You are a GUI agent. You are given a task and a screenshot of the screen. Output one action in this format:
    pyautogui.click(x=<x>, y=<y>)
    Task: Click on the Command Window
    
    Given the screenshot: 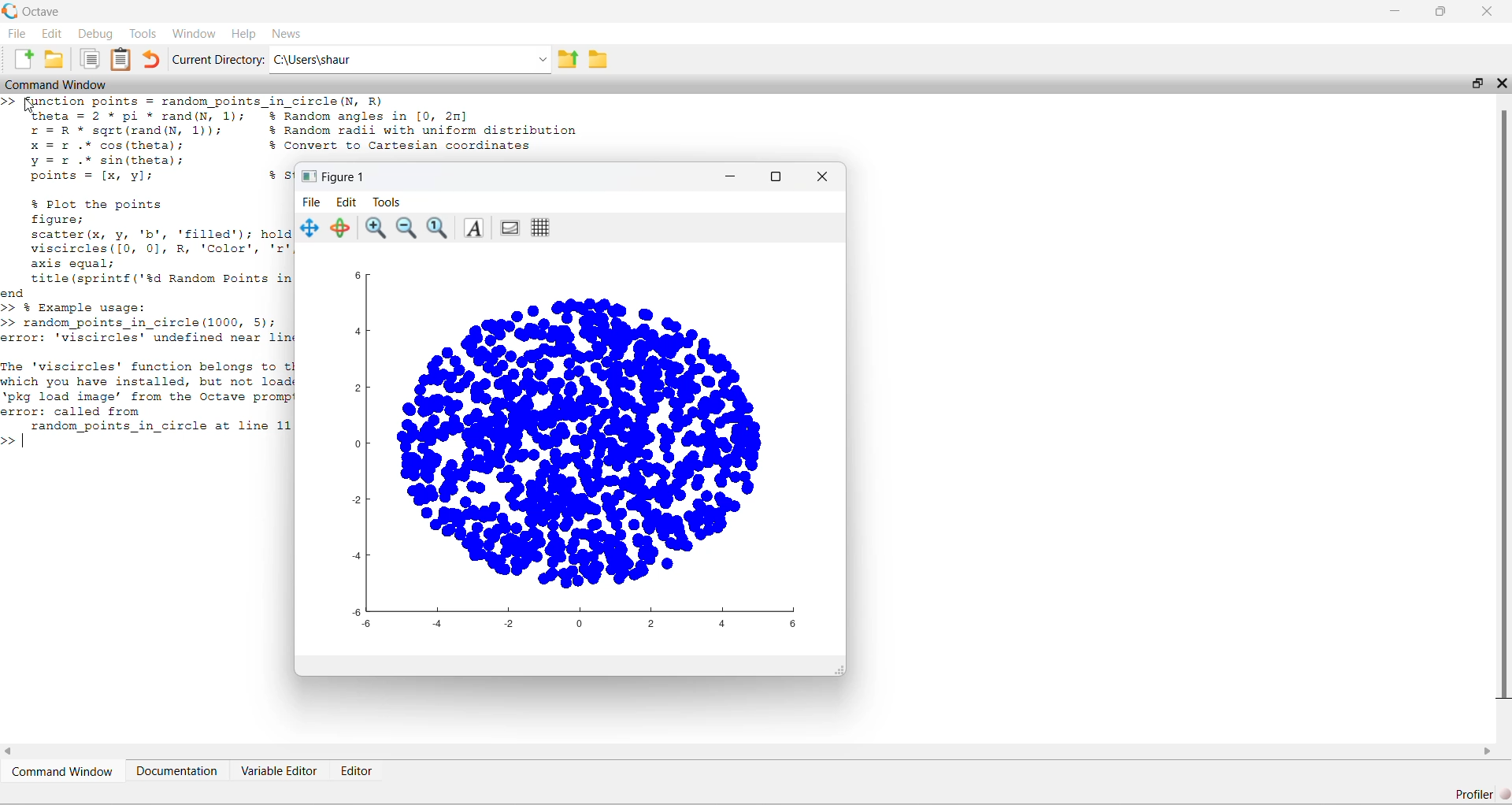 What is the action you would take?
    pyautogui.click(x=64, y=770)
    